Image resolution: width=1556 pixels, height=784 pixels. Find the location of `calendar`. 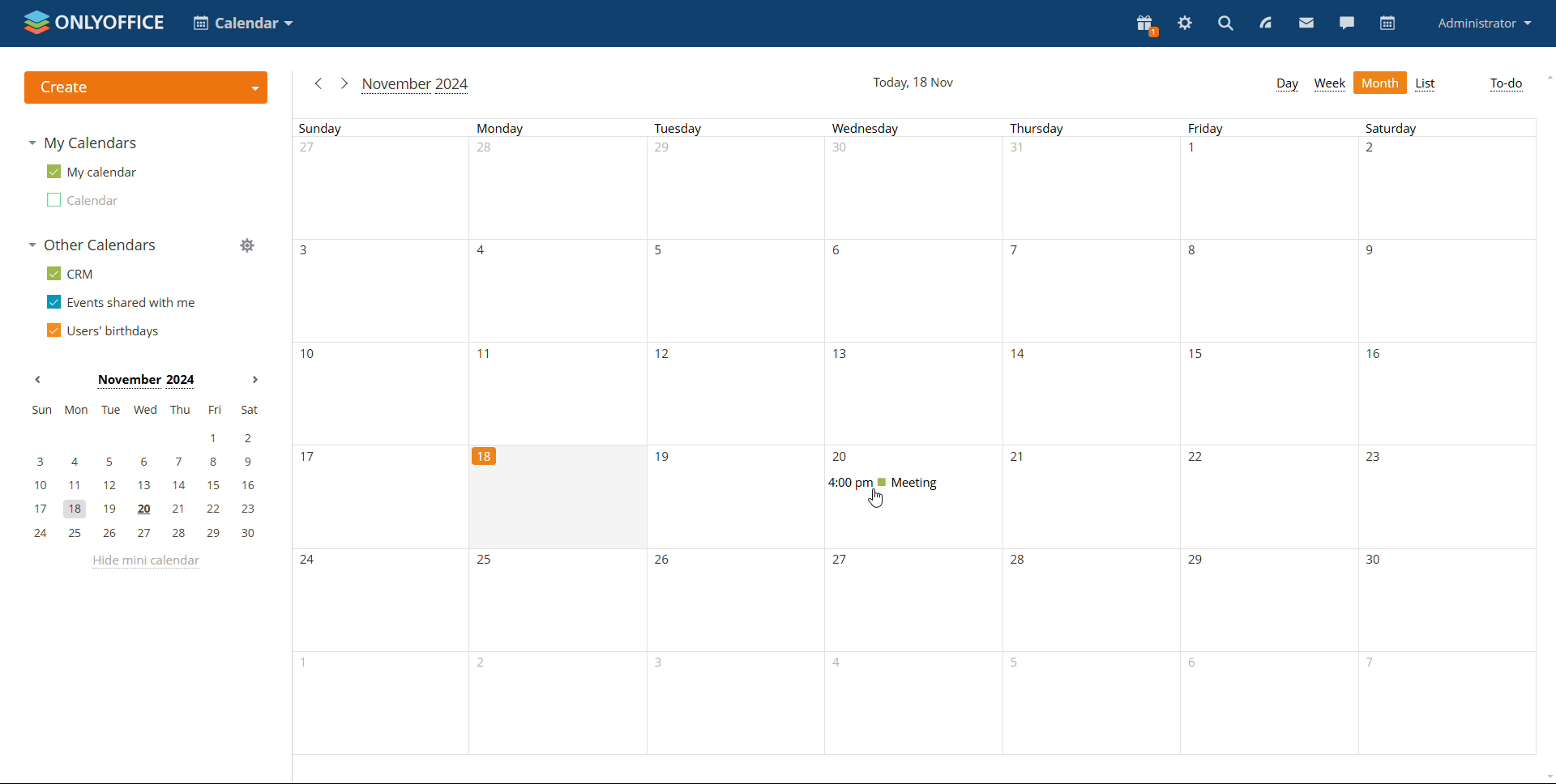

calendar is located at coordinates (1389, 23).